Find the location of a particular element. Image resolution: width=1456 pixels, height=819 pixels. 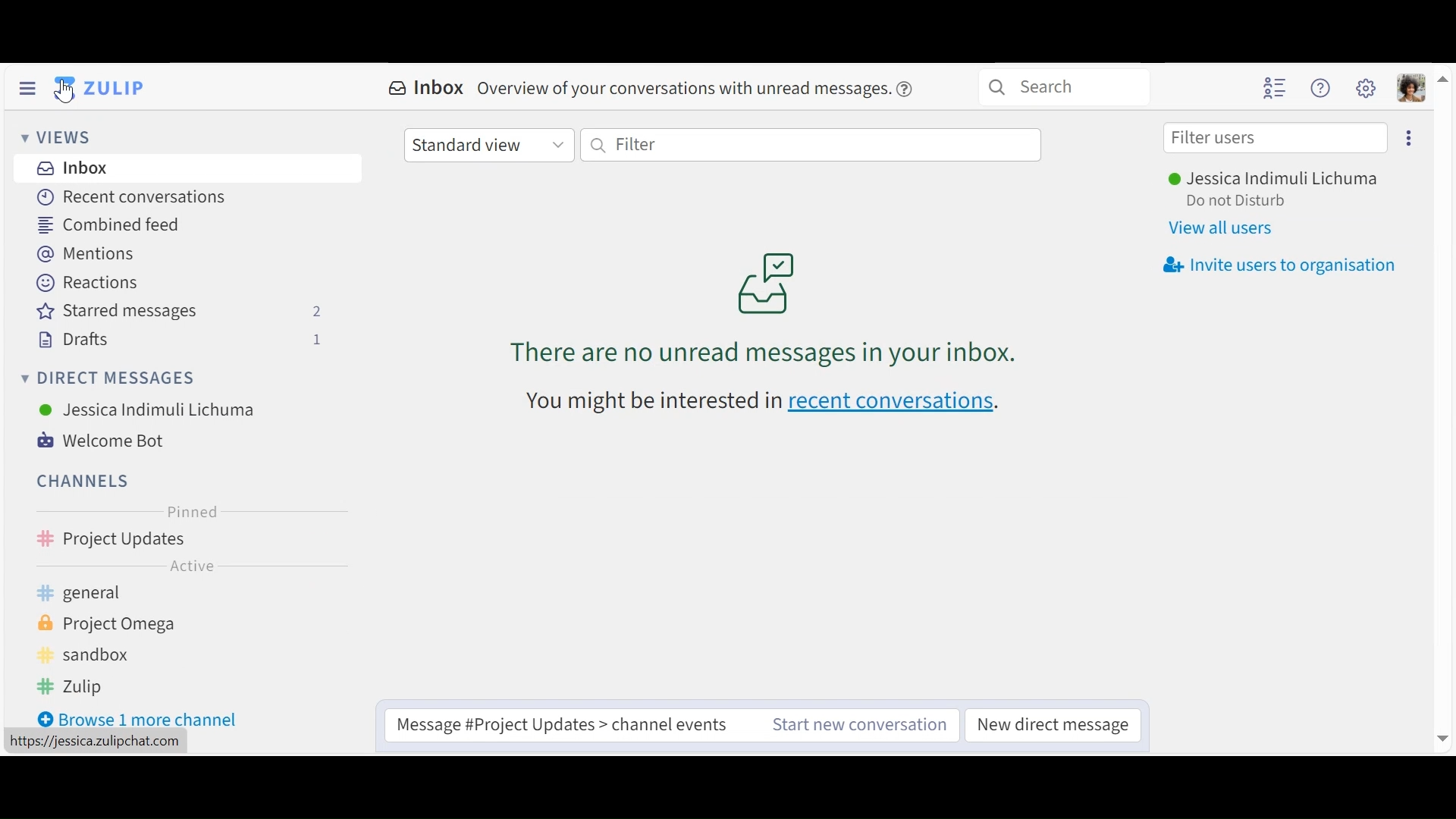

Inbox Overview of your conversations with unread messages. is located at coordinates (638, 86).